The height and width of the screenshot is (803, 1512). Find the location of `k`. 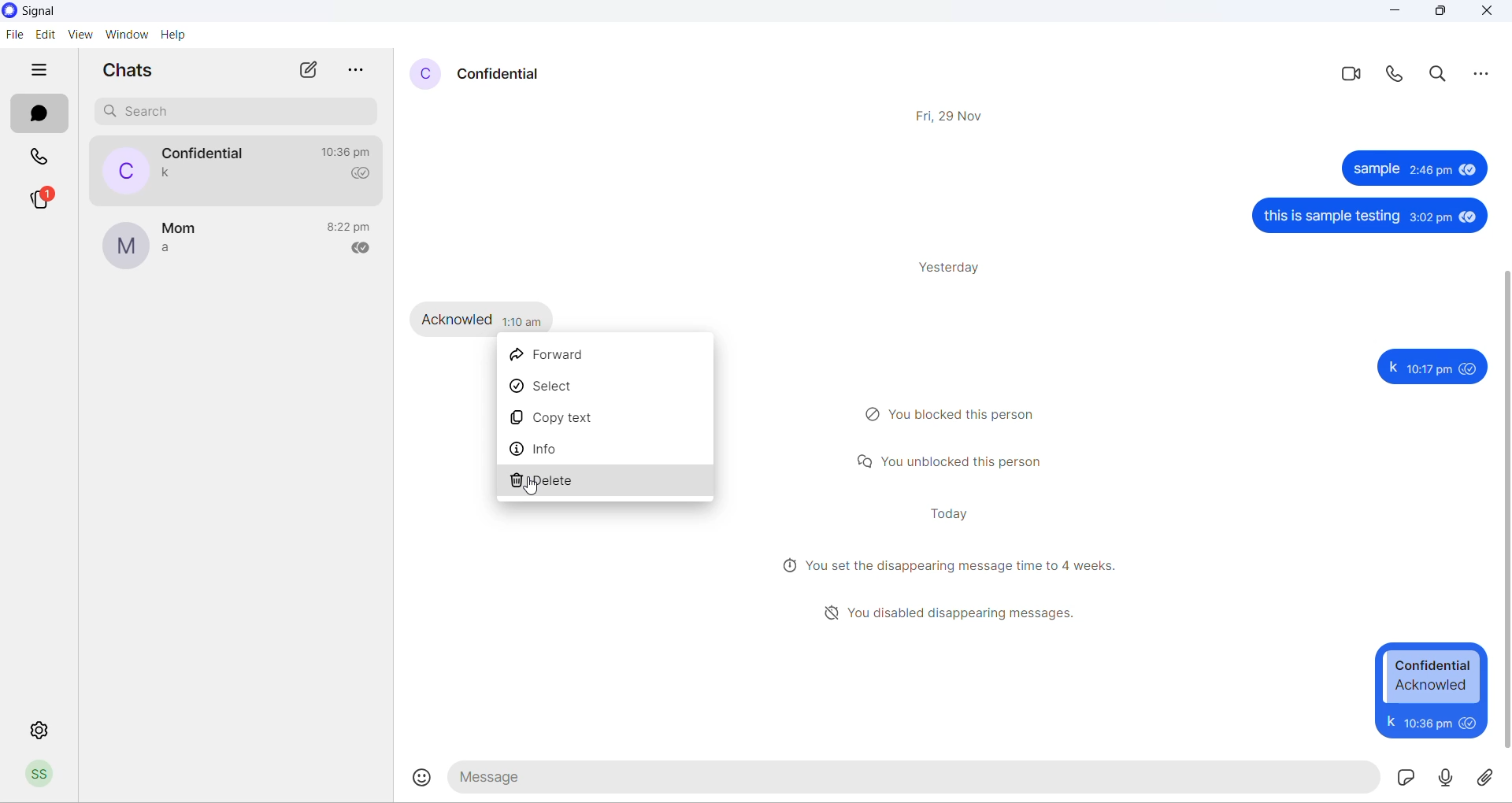

k is located at coordinates (1390, 722).